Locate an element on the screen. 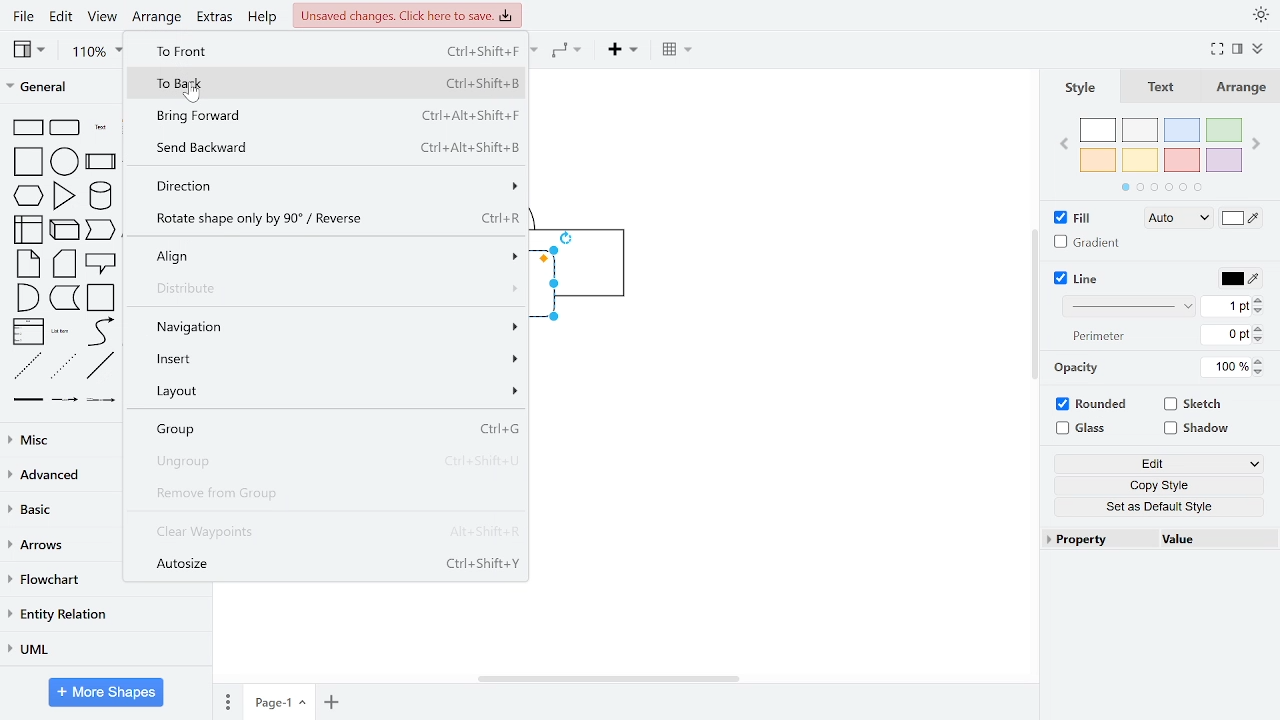 This screenshot has width=1280, height=720. red is located at coordinates (1181, 160).